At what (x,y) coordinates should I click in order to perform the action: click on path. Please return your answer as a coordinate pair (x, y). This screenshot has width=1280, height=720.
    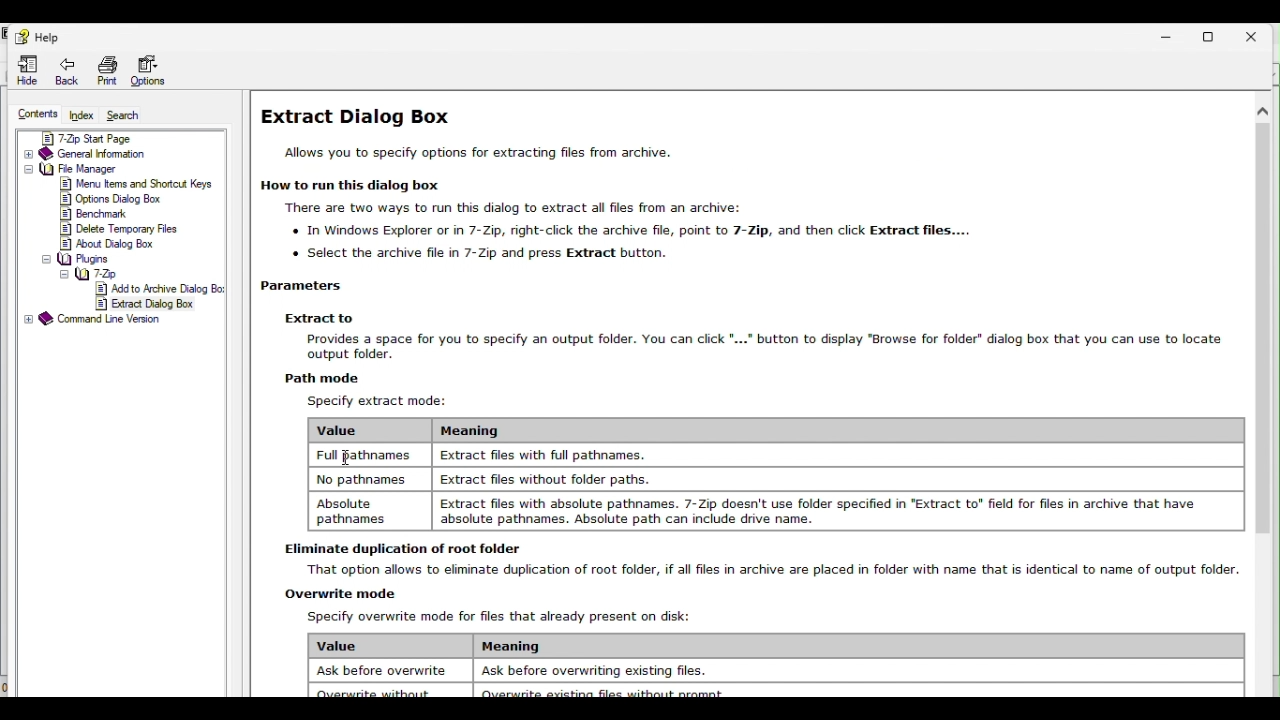
    Looking at the image, I should click on (327, 376).